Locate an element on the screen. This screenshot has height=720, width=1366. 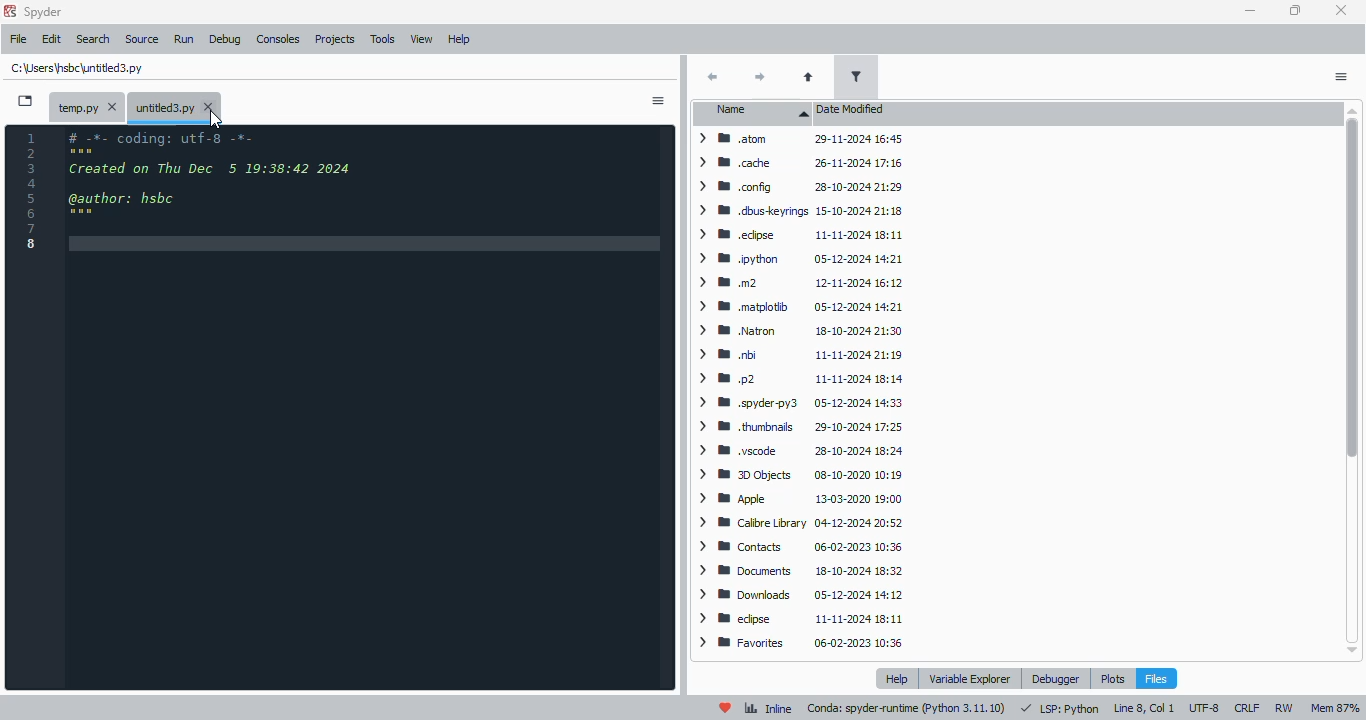
variable explorer is located at coordinates (970, 677).